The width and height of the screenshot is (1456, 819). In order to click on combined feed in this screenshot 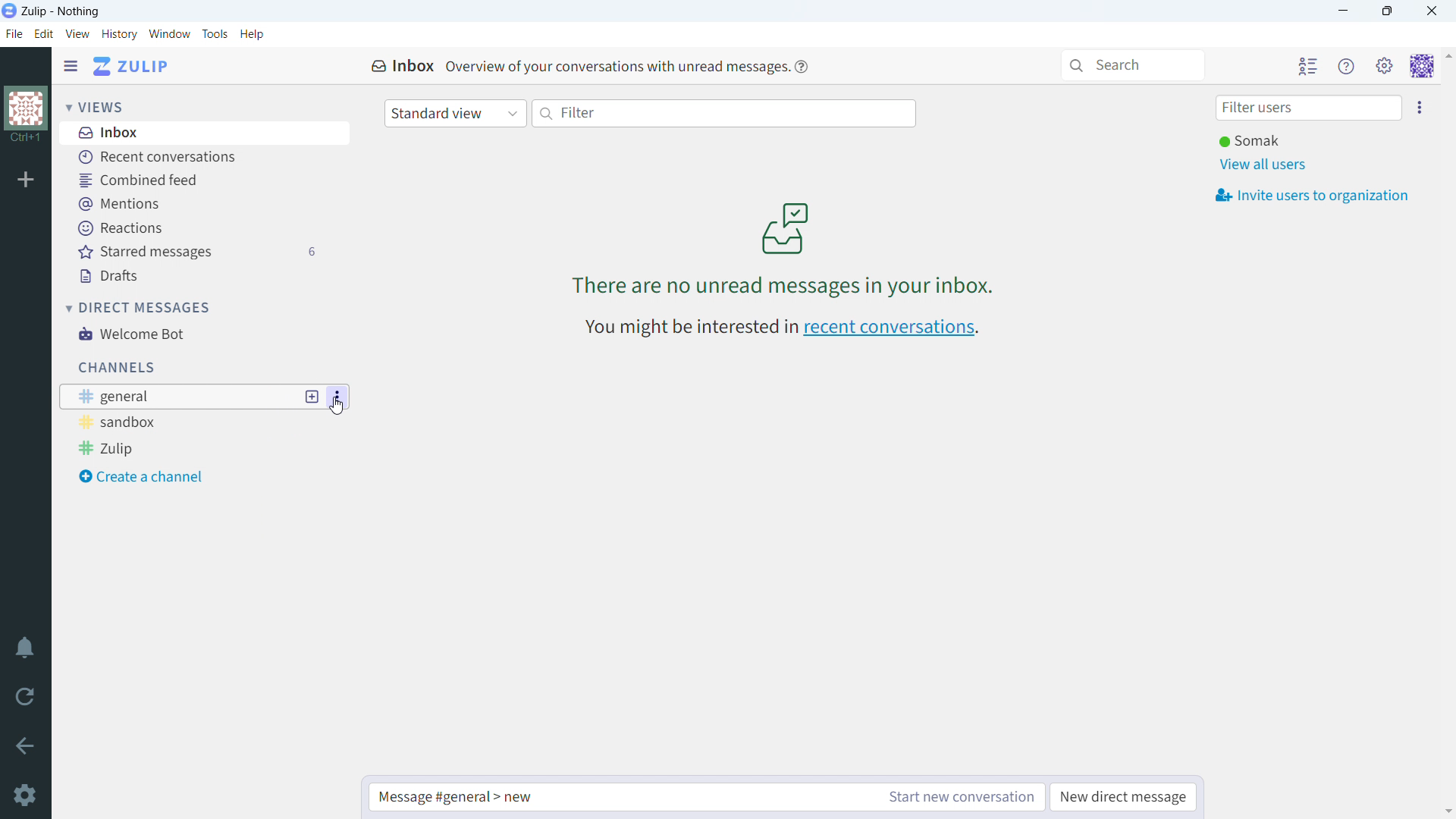, I will do `click(194, 181)`.